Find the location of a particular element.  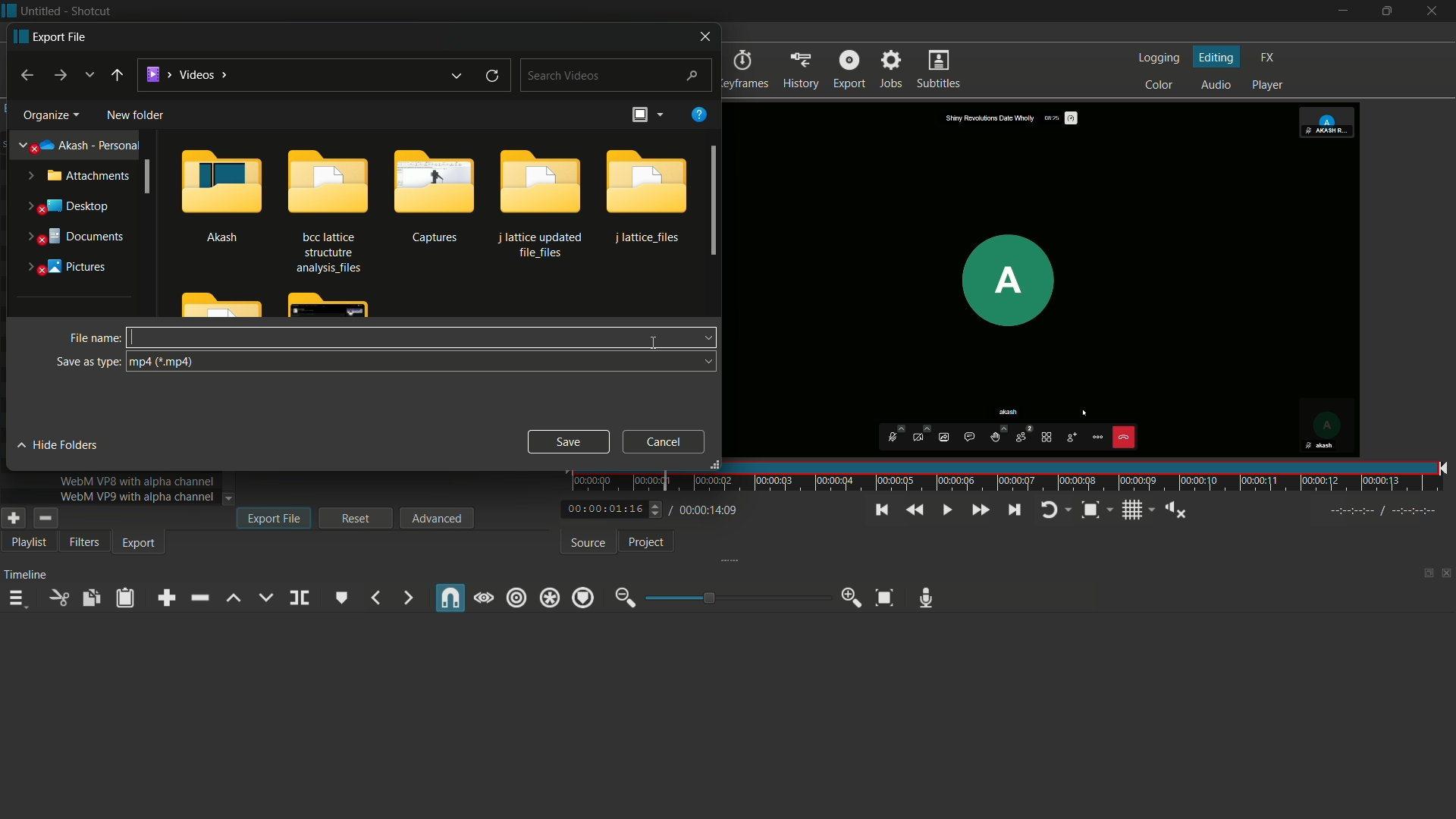

get help is located at coordinates (698, 115).